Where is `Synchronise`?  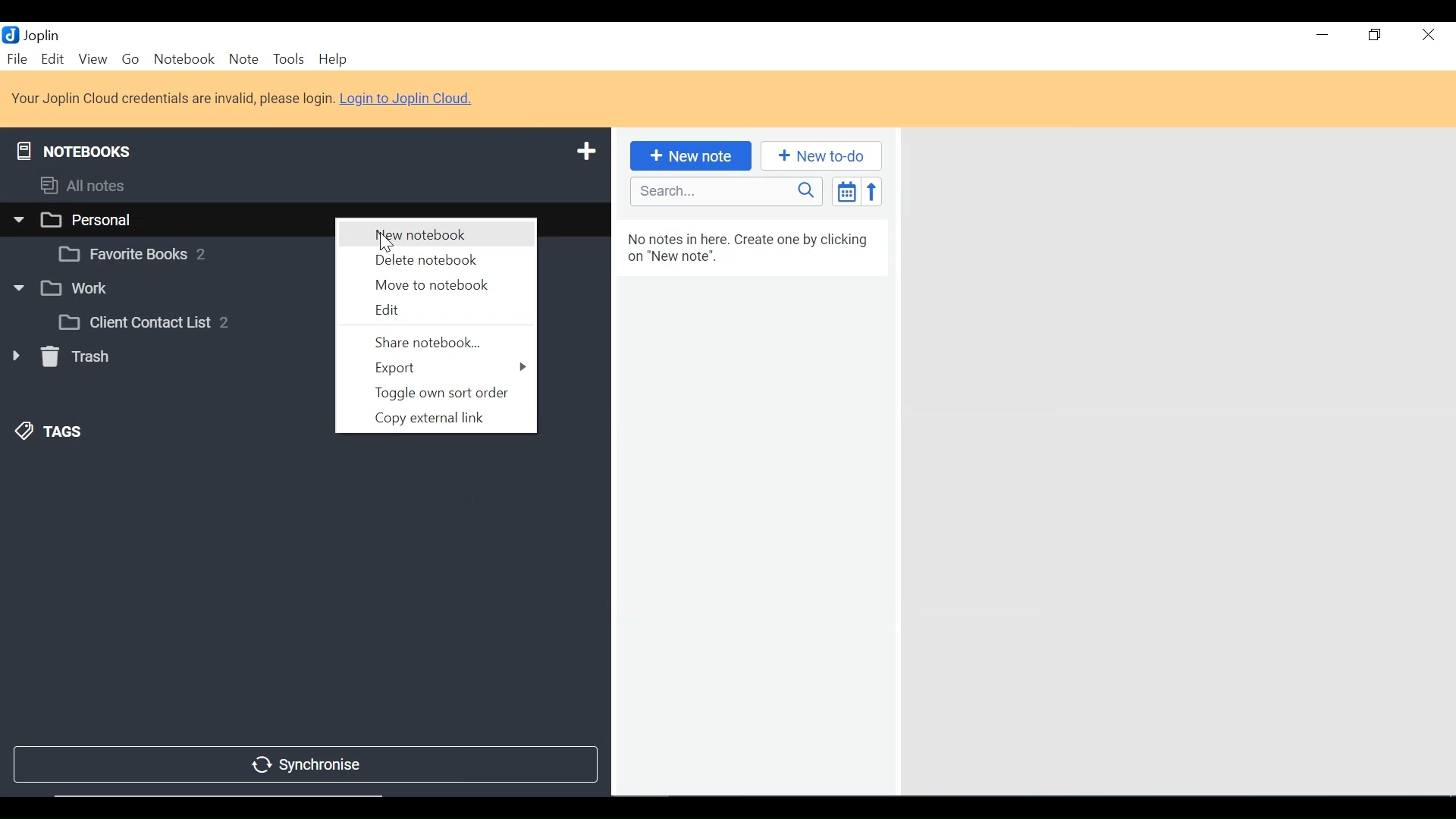 Synchronise is located at coordinates (303, 766).